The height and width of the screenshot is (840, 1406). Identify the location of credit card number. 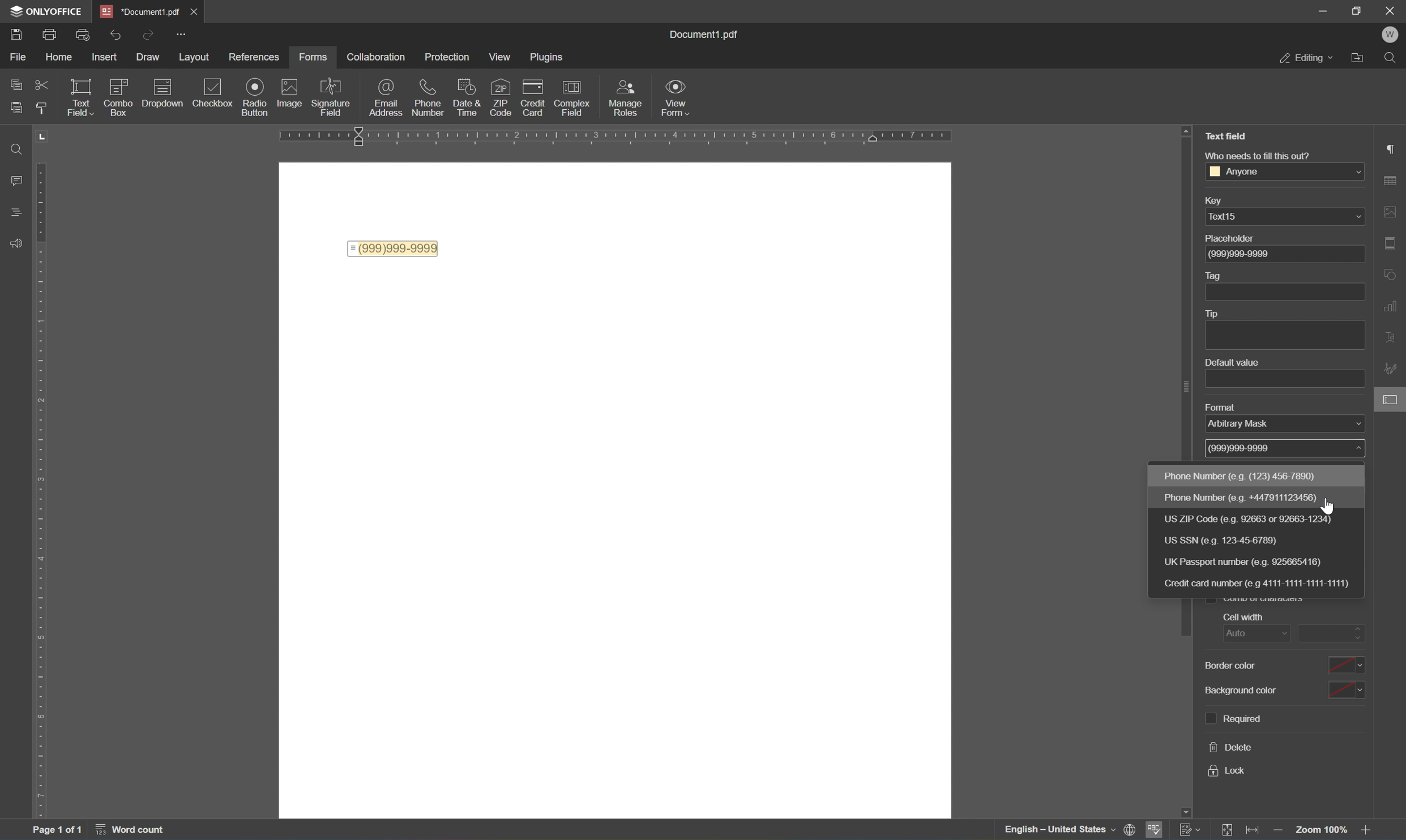
(1261, 584).